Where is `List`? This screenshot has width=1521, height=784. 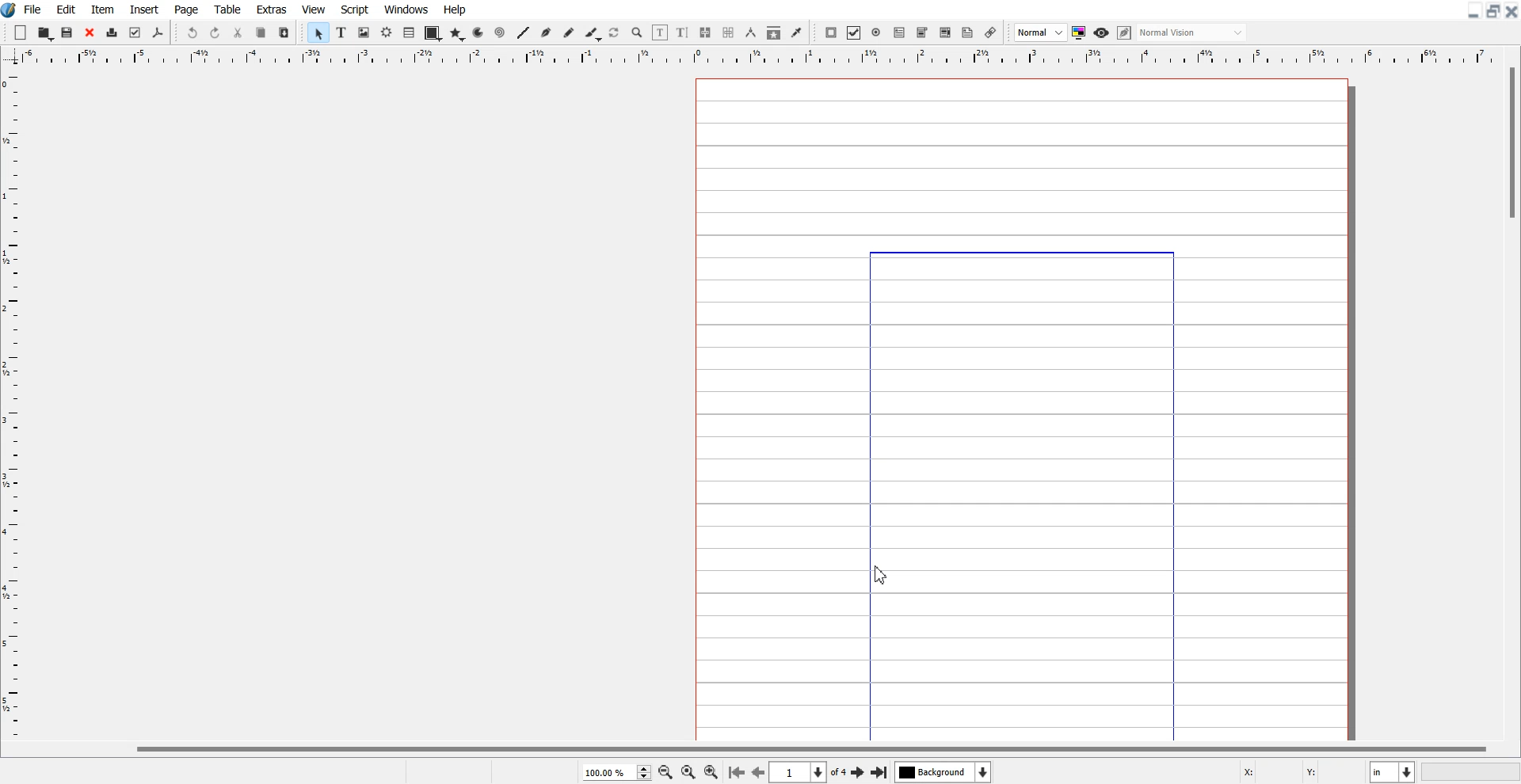
List is located at coordinates (410, 32).